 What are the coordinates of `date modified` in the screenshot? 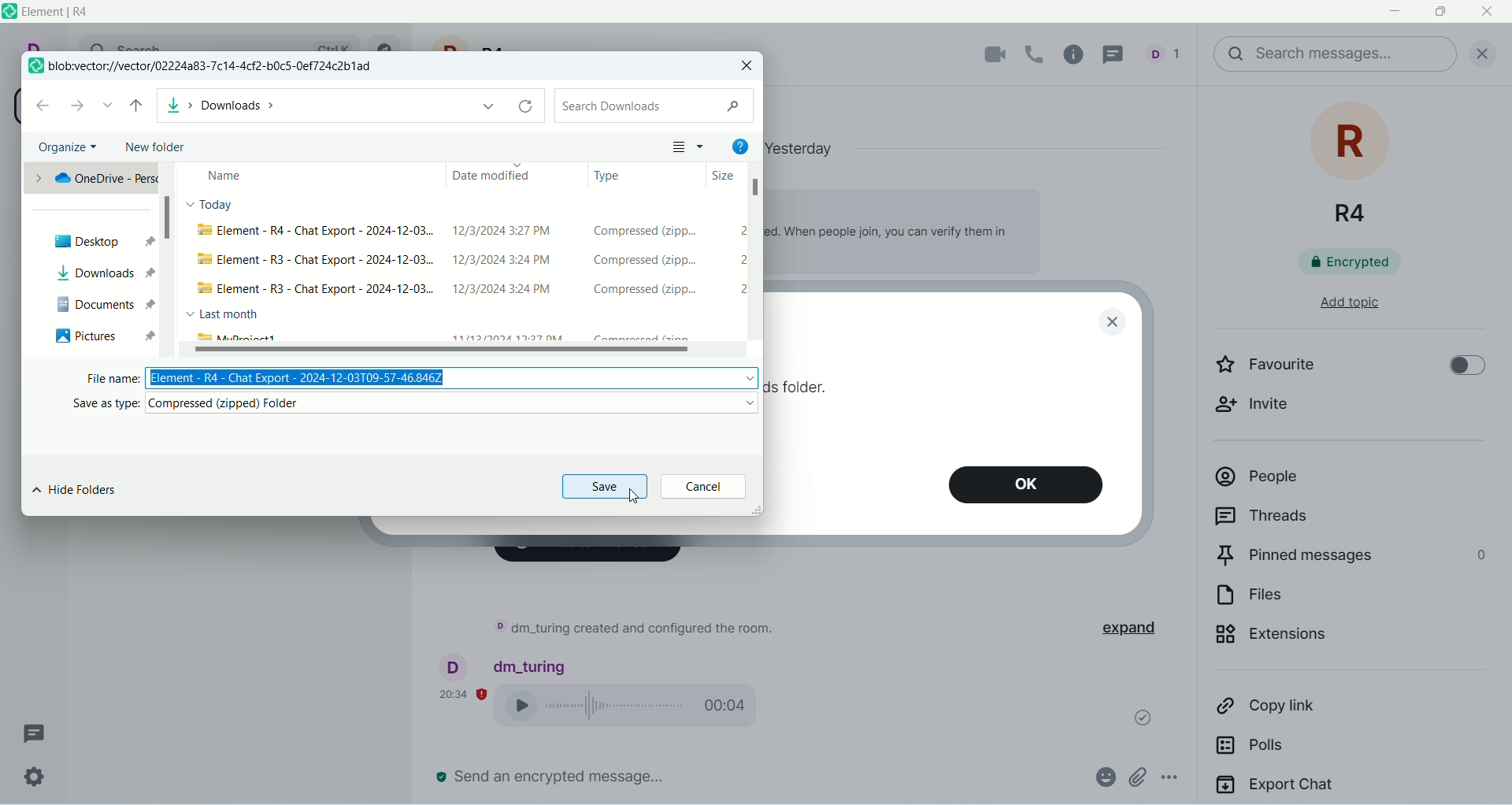 It's located at (488, 176).